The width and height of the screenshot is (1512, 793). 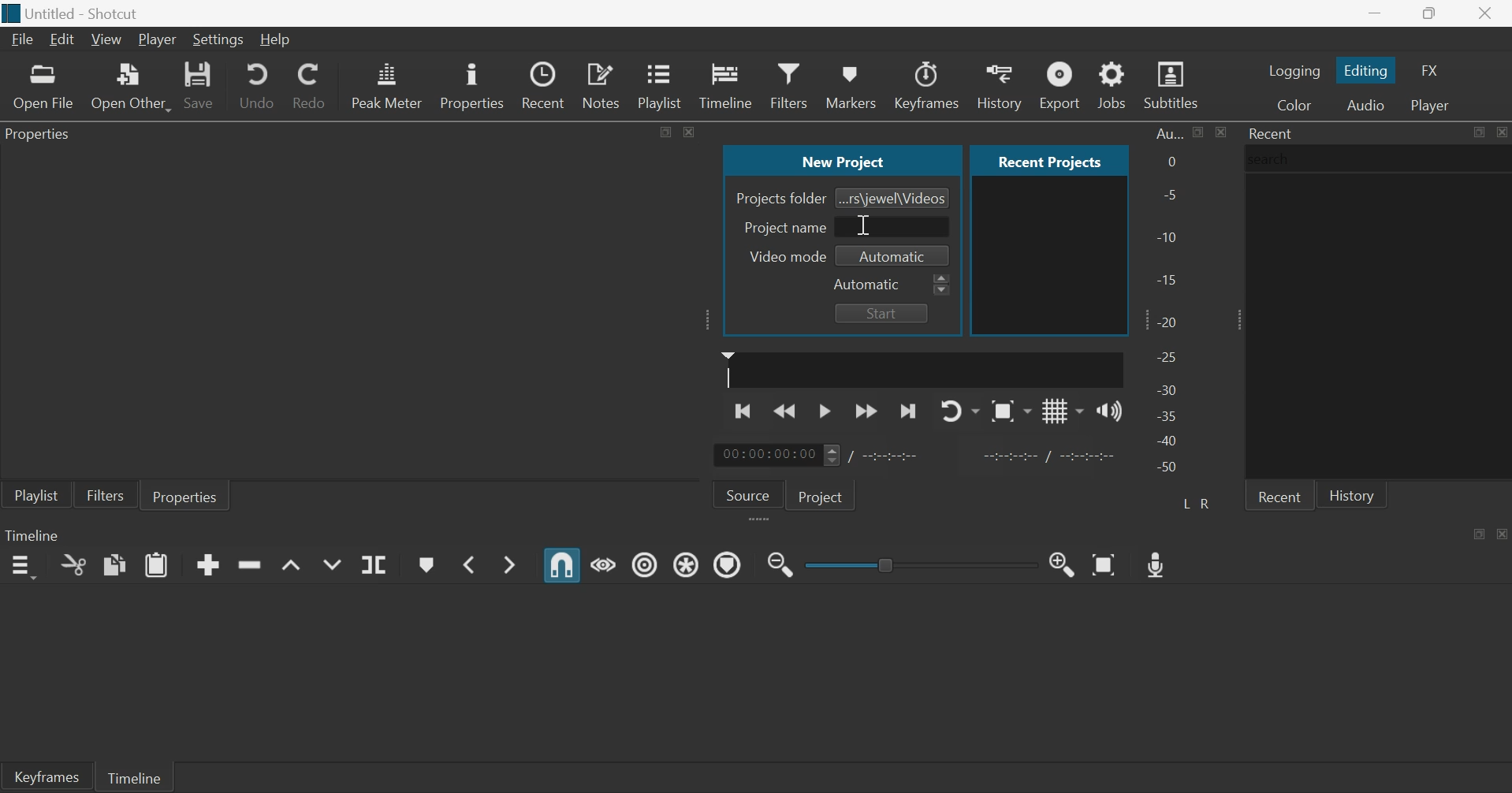 I want to click on Jobs, so click(x=1112, y=84).